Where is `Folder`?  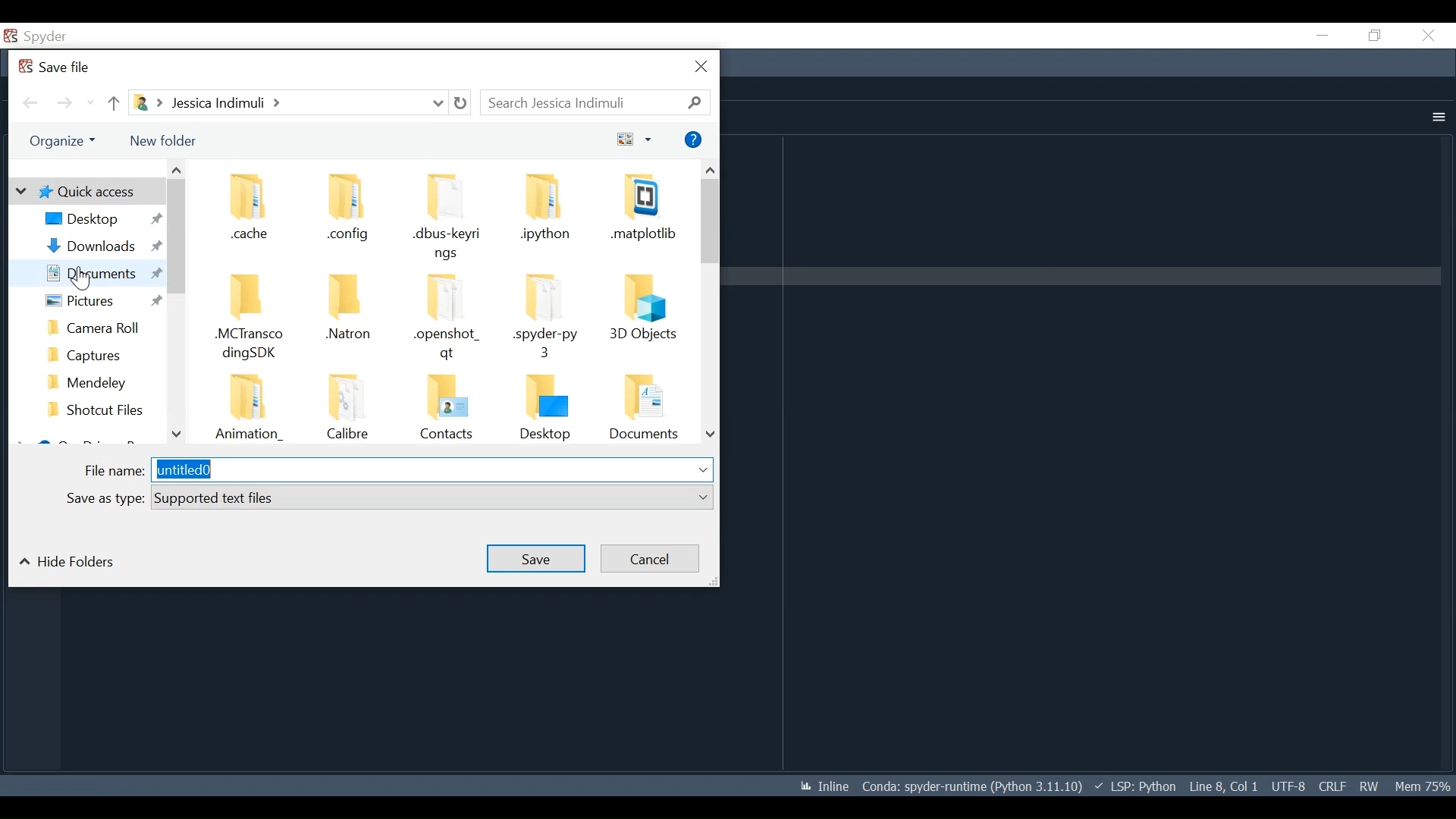
Folder is located at coordinates (95, 381).